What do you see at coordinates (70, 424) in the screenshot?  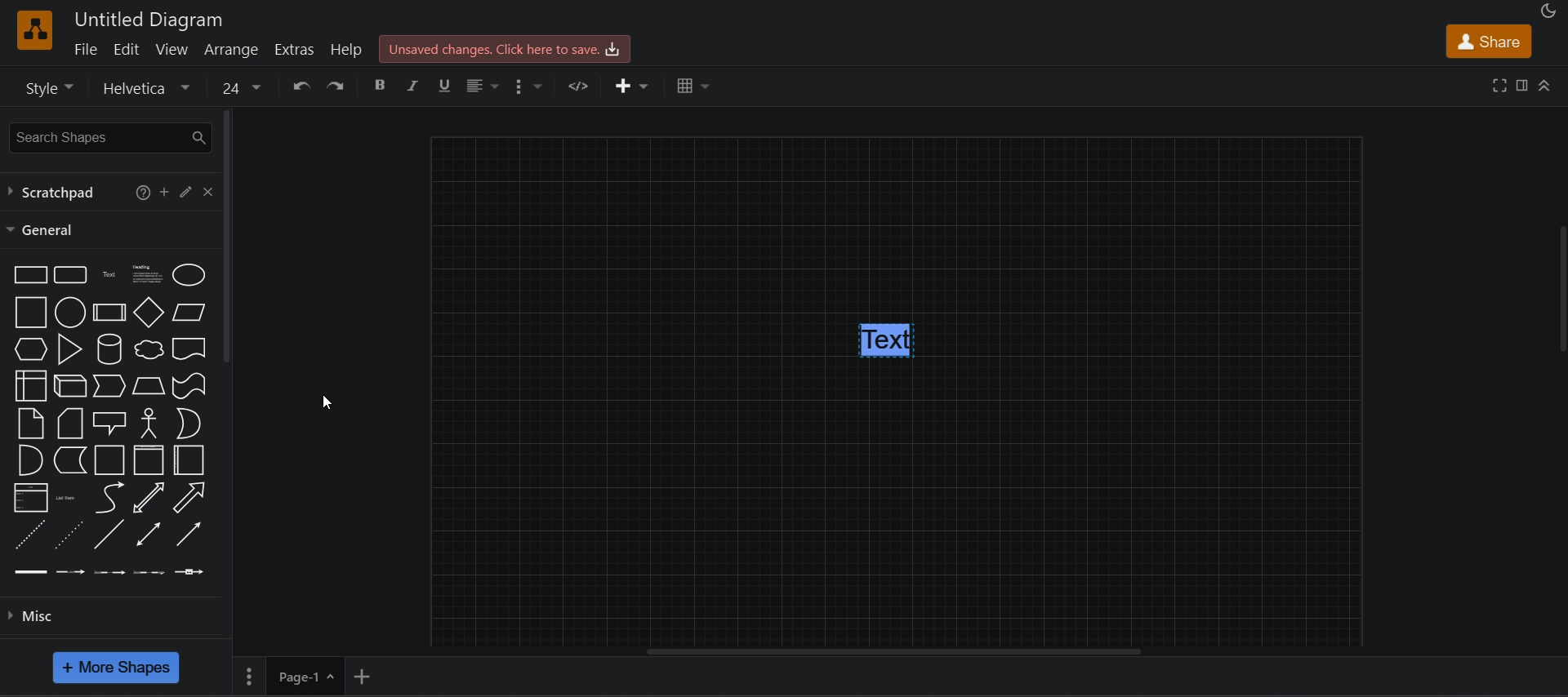 I see `Card` at bounding box center [70, 424].